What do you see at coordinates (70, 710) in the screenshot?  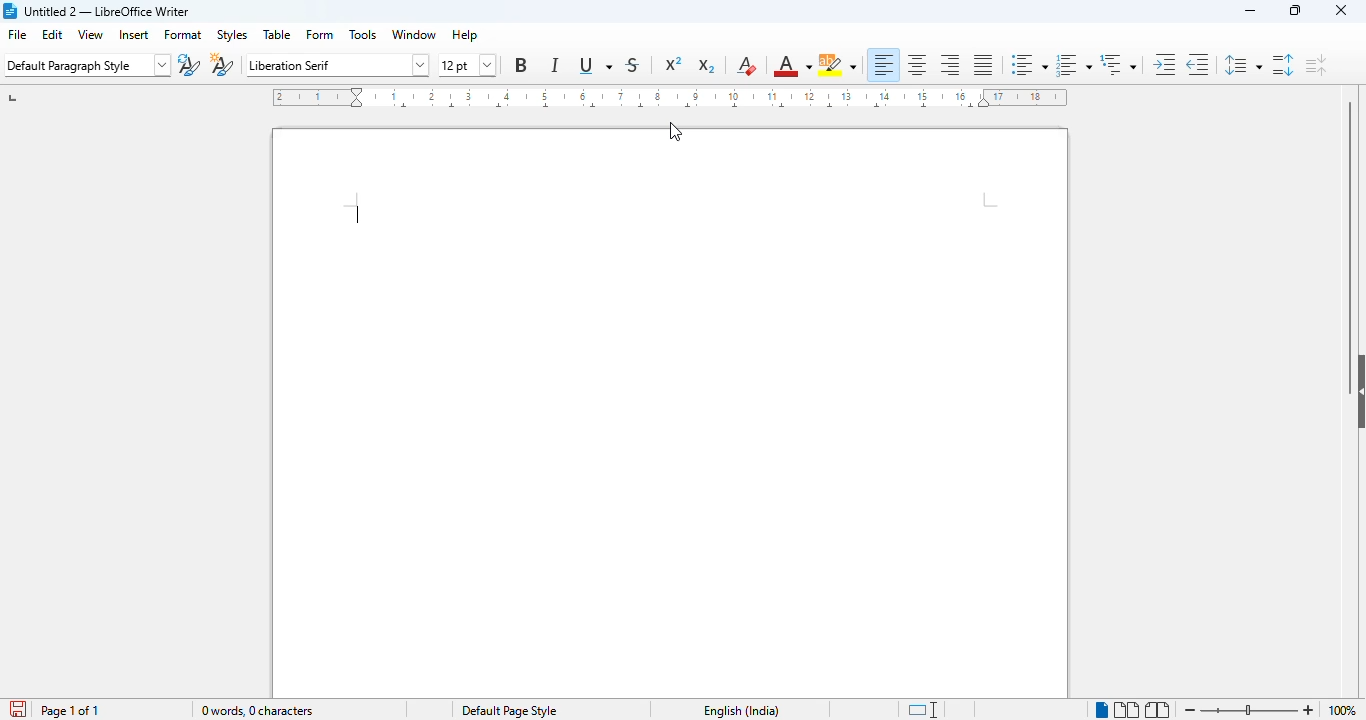 I see `page 1 of 1` at bounding box center [70, 710].